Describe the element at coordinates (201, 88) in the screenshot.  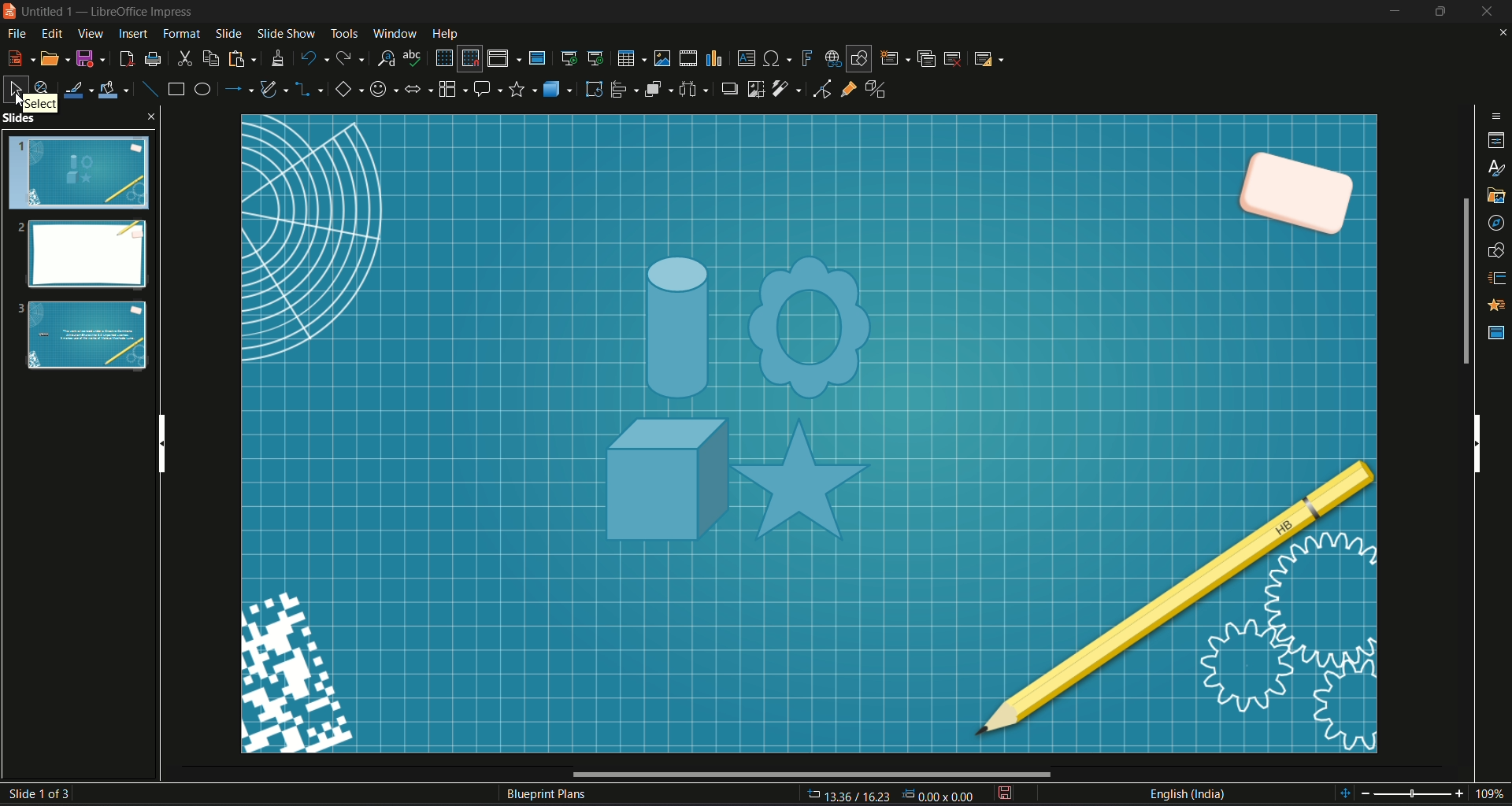
I see `ellipse` at that location.